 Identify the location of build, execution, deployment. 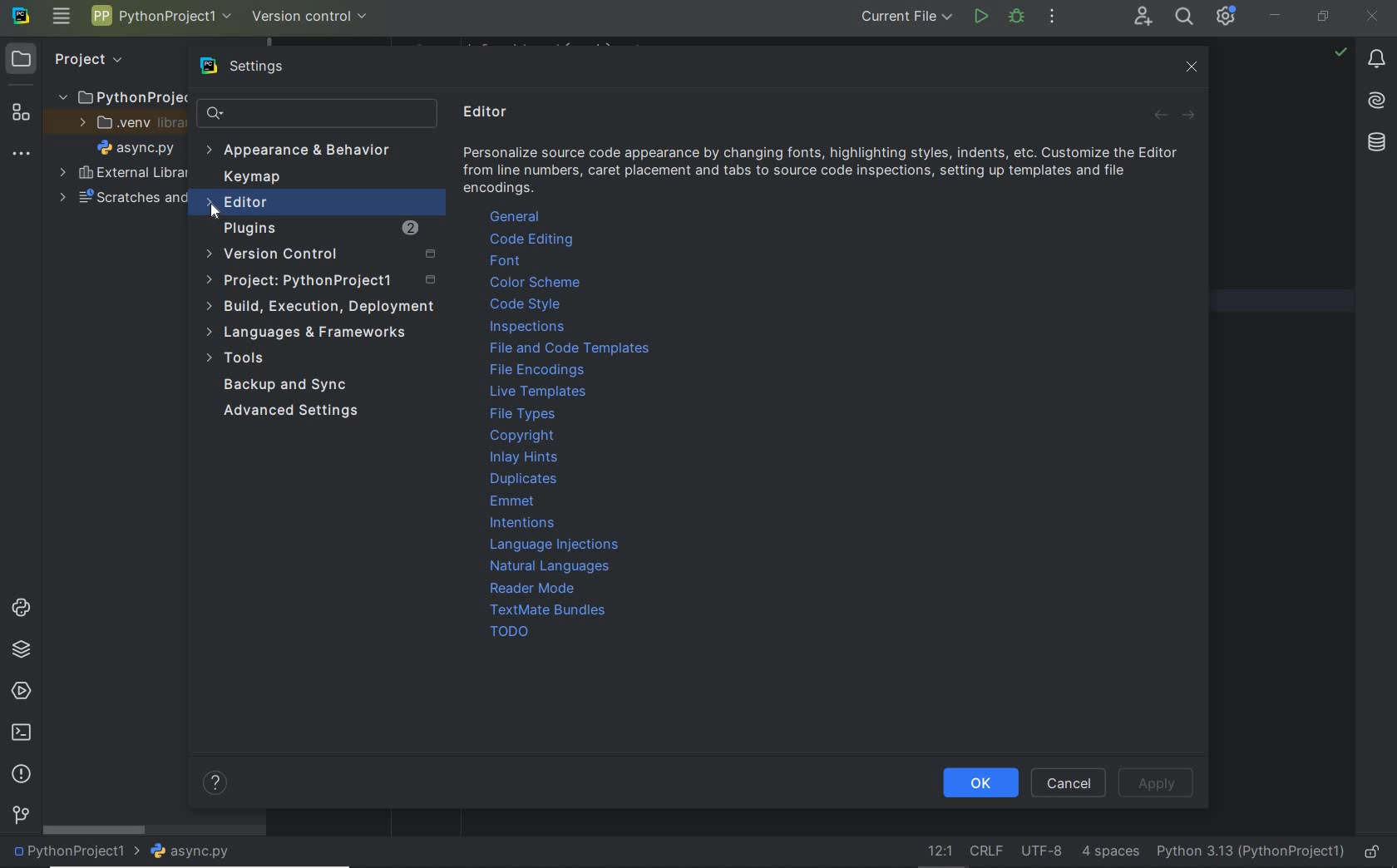
(323, 308).